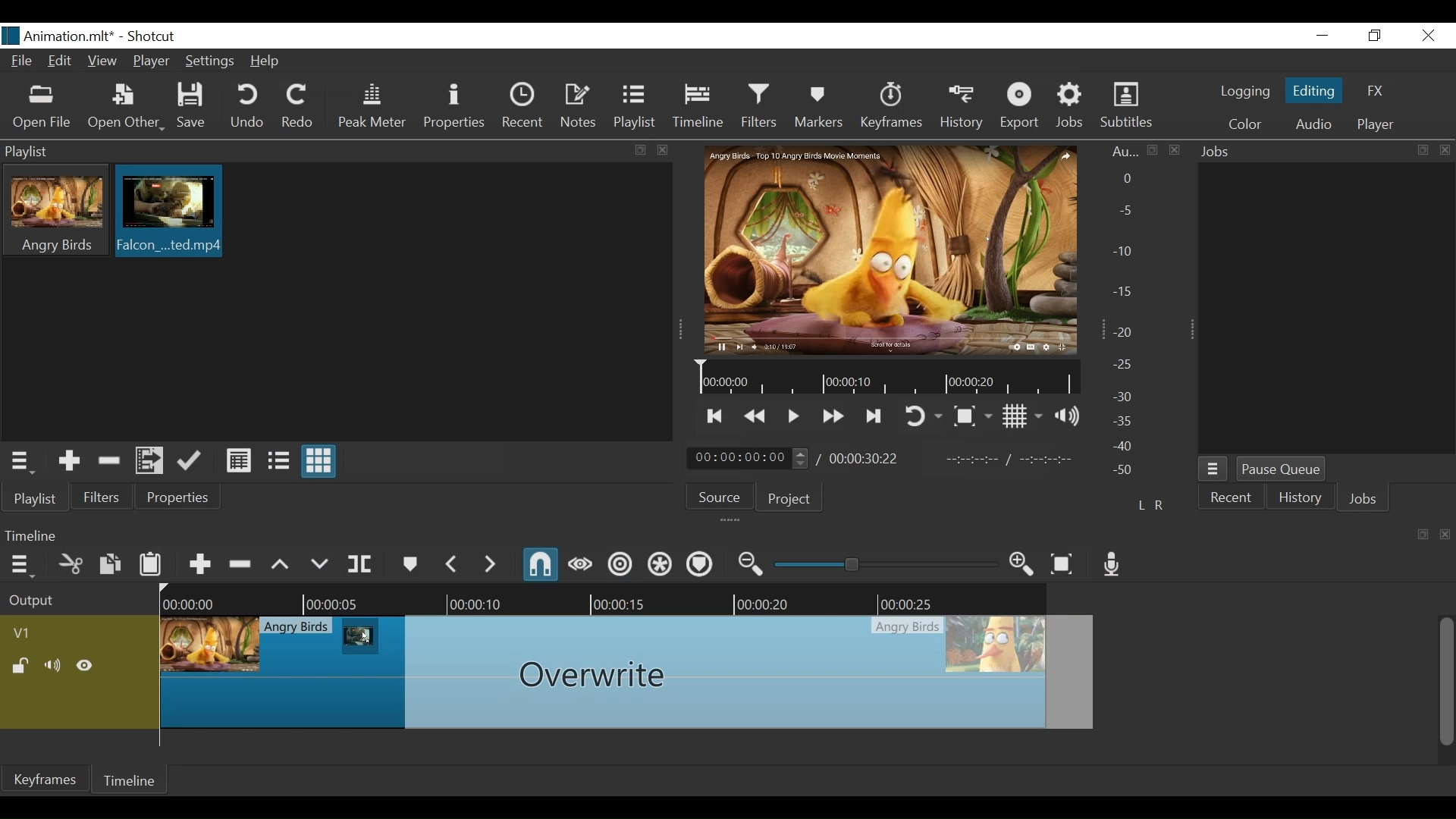  Describe the element at coordinates (104, 496) in the screenshot. I see `Filters` at that location.